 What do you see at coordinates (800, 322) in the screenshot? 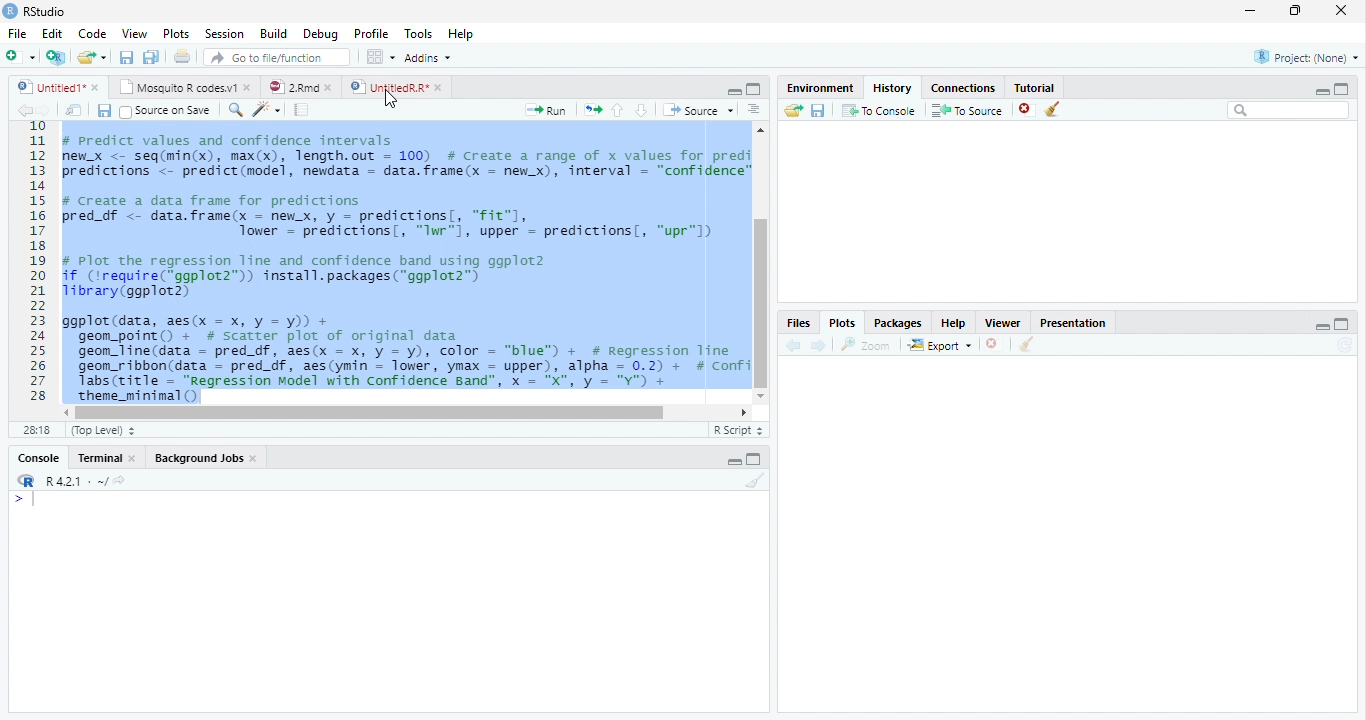
I see `Files` at bounding box center [800, 322].